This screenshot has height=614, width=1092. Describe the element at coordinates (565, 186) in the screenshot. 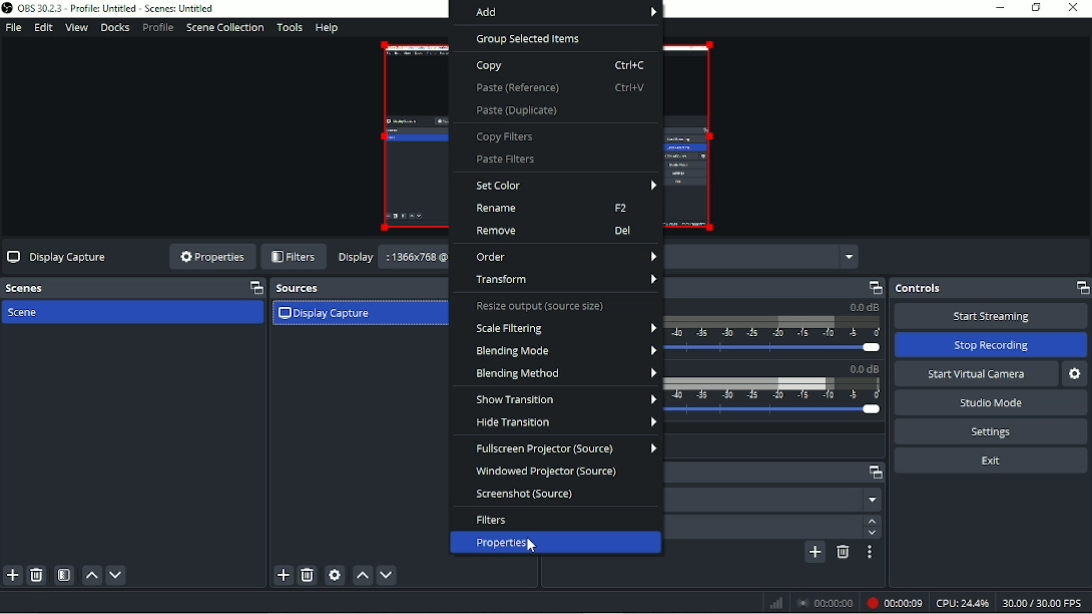

I see `Set color` at that location.